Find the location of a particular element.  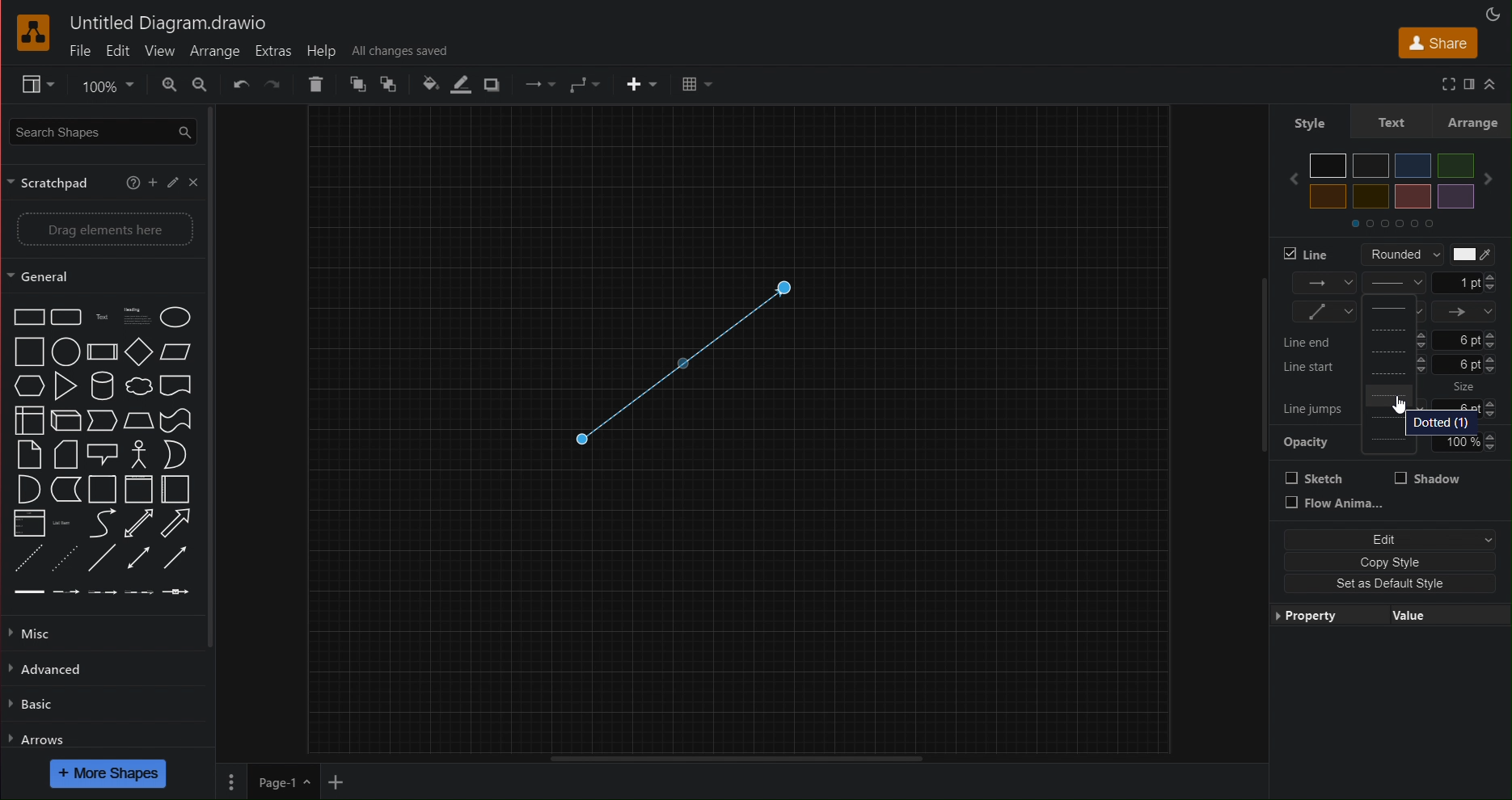

Connector is located at coordinates (585, 85).